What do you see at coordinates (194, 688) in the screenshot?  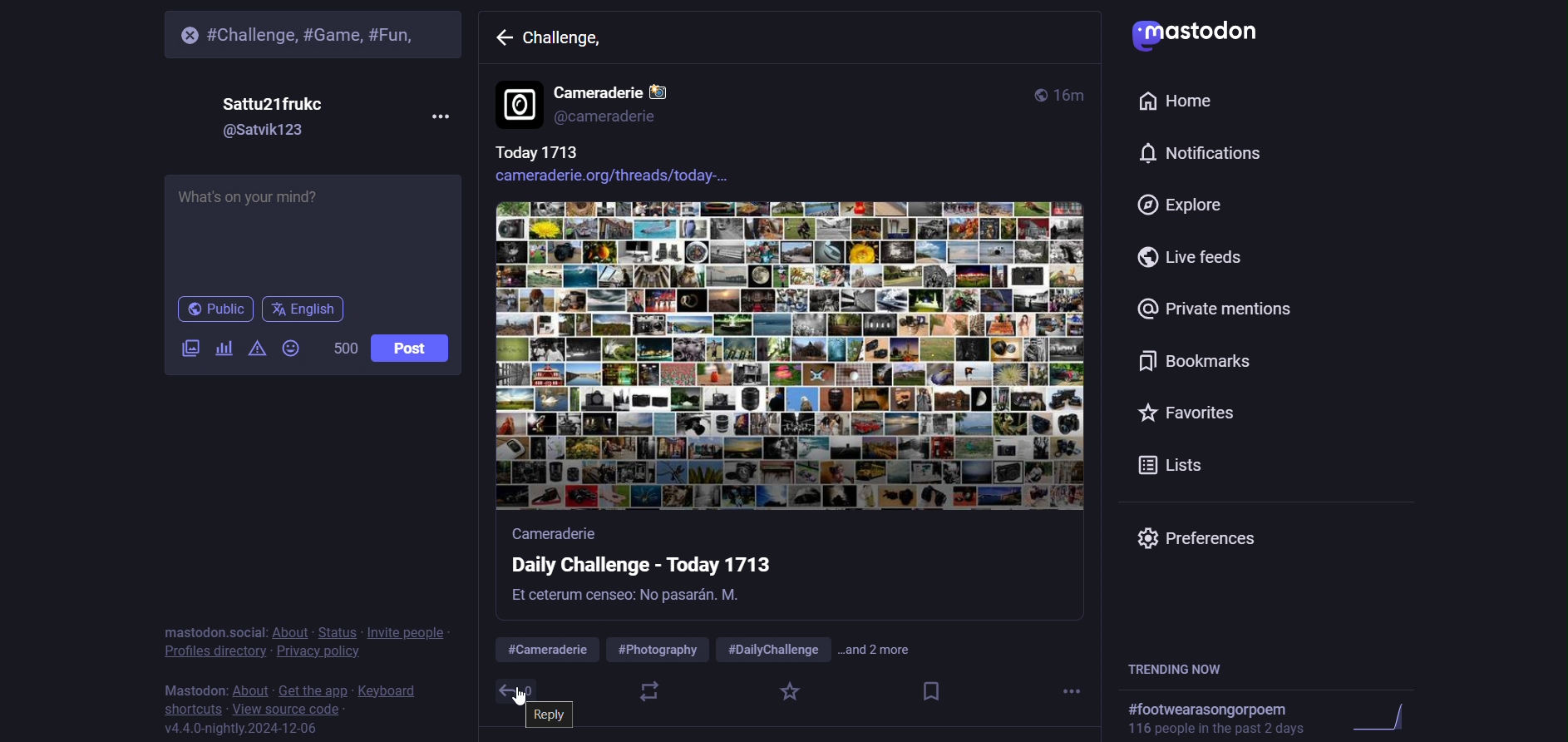 I see `mastodon` at bounding box center [194, 688].